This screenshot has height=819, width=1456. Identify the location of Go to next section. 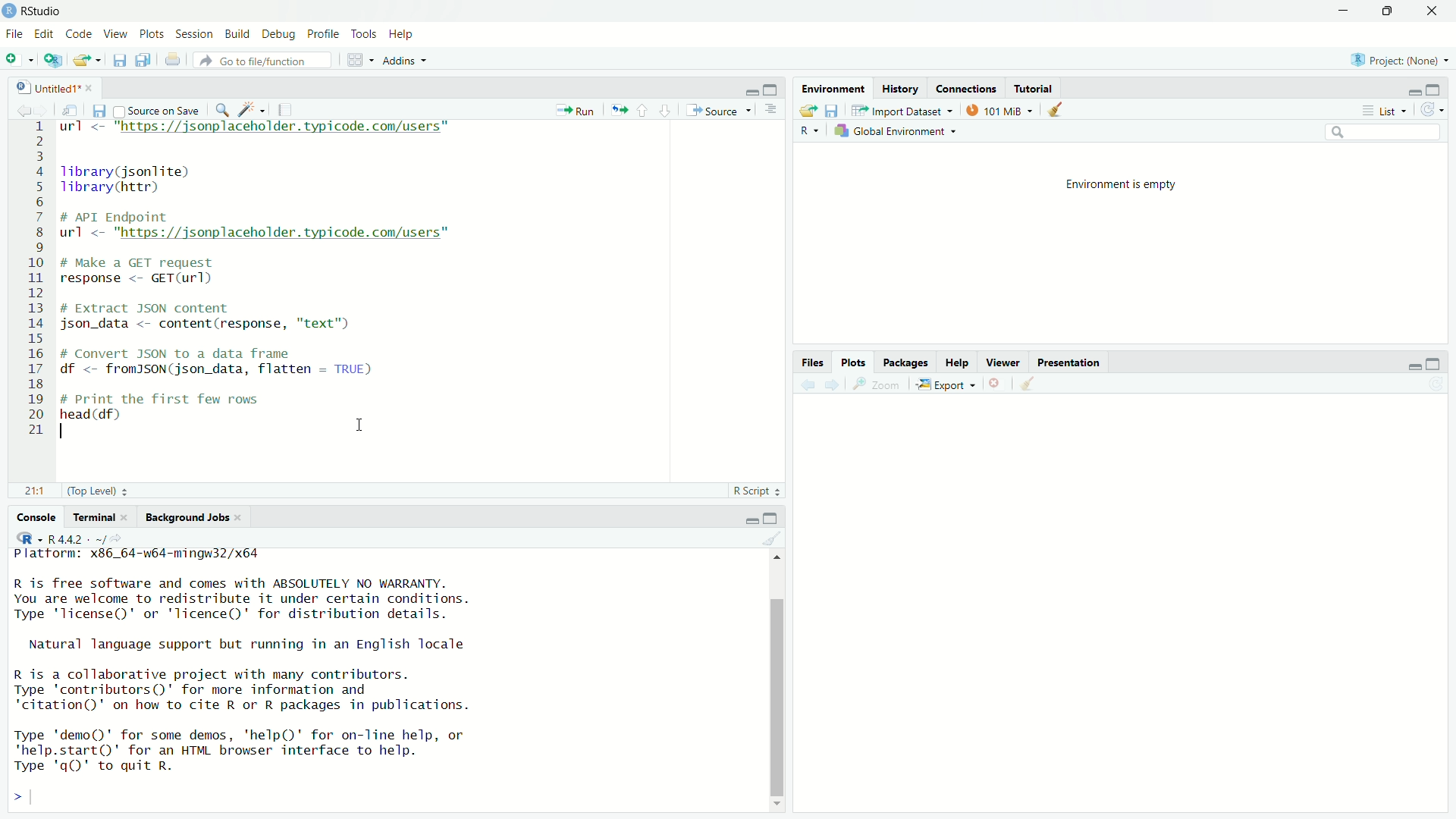
(664, 111).